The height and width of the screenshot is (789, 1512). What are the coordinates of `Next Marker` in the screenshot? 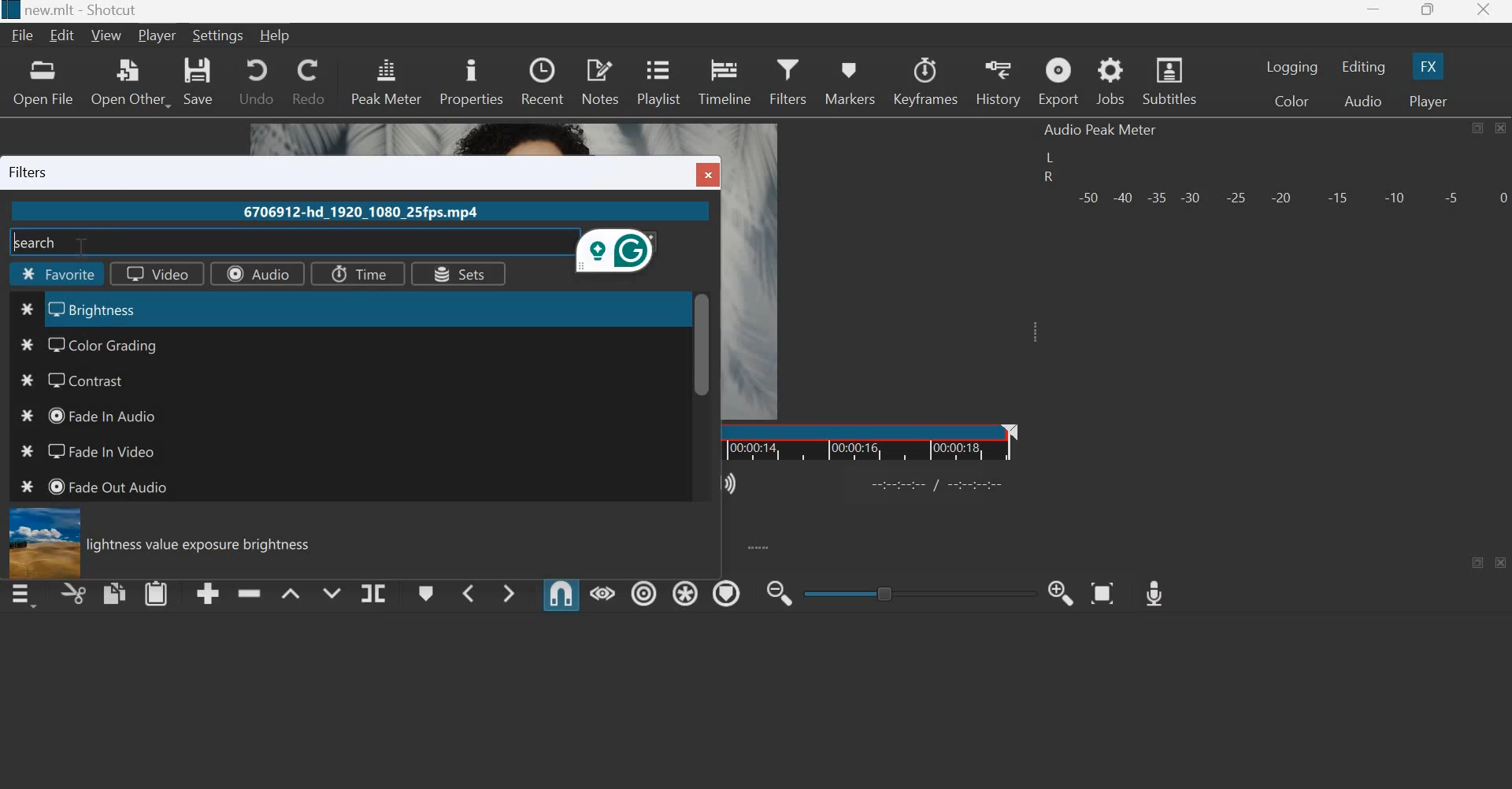 It's located at (509, 591).